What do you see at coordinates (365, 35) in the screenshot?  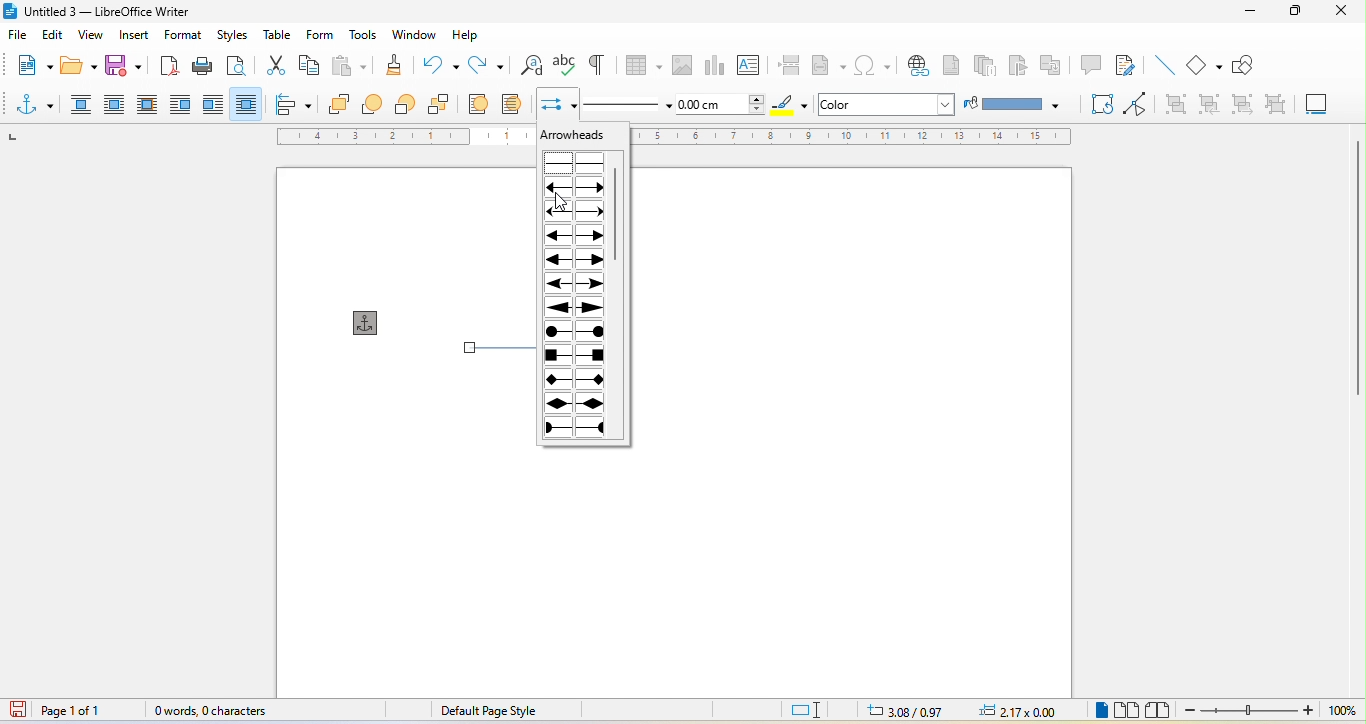 I see `tools` at bounding box center [365, 35].